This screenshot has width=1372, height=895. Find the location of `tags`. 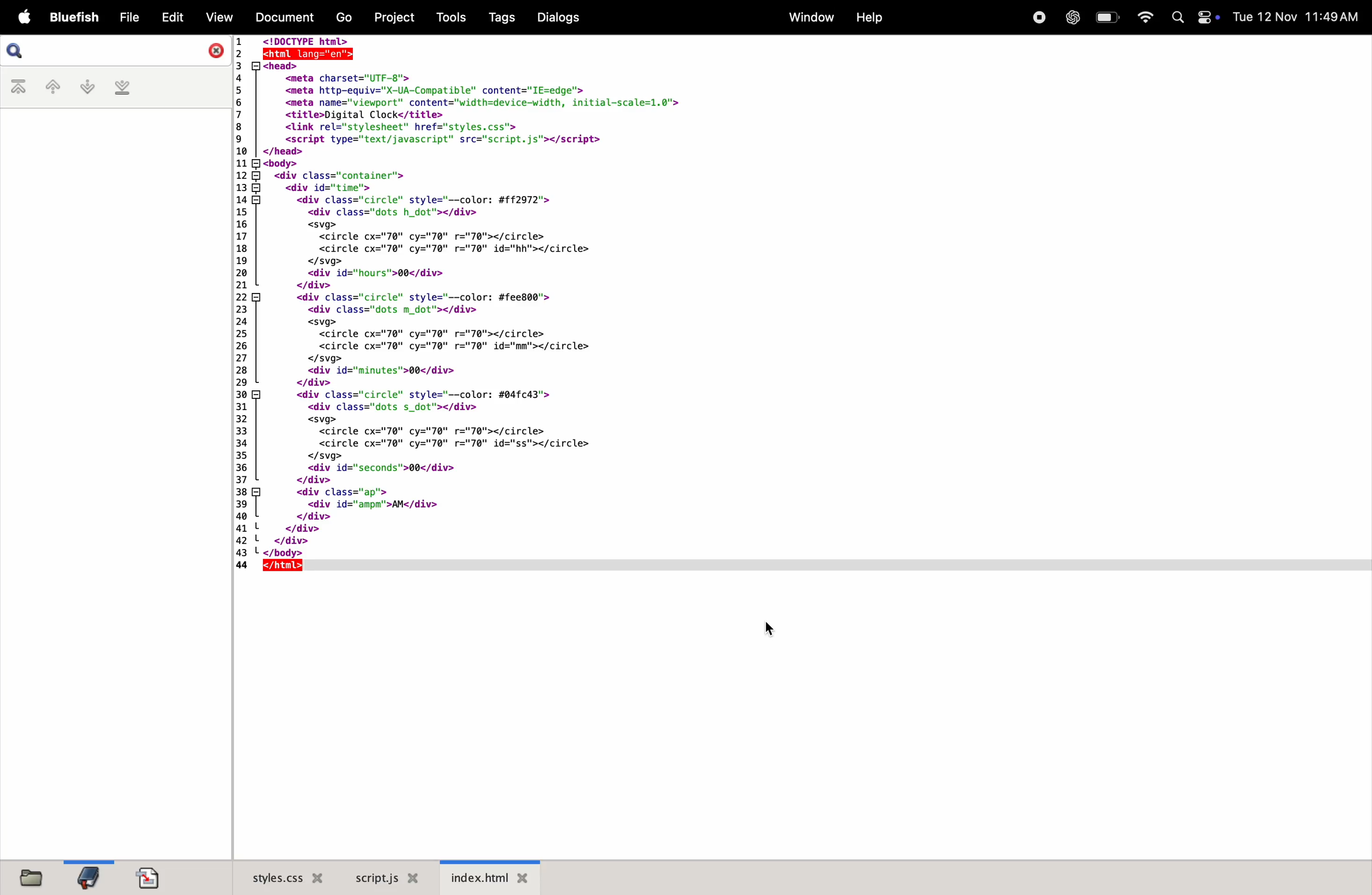

tags is located at coordinates (504, 17).